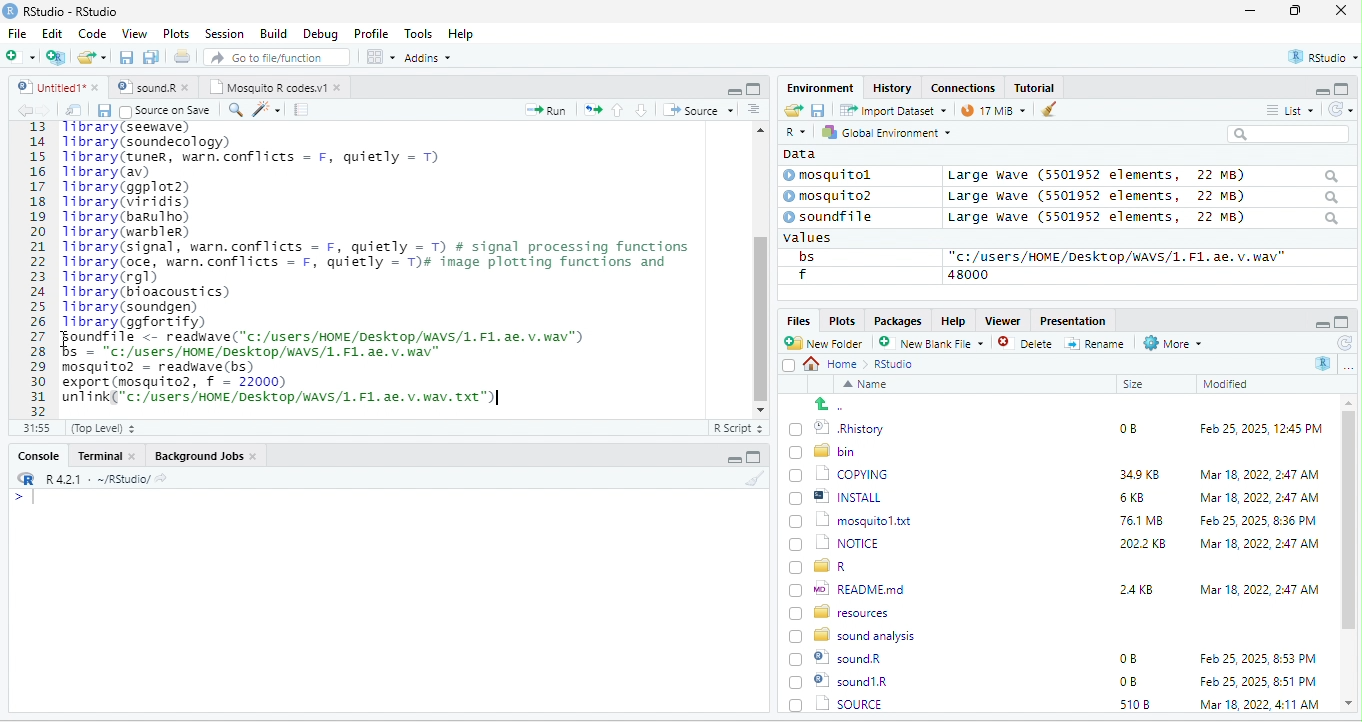 The image size is (1362, 722). Describe the element at coordinates (64, 10) in the screenshot. I see `RStudio` at that location.